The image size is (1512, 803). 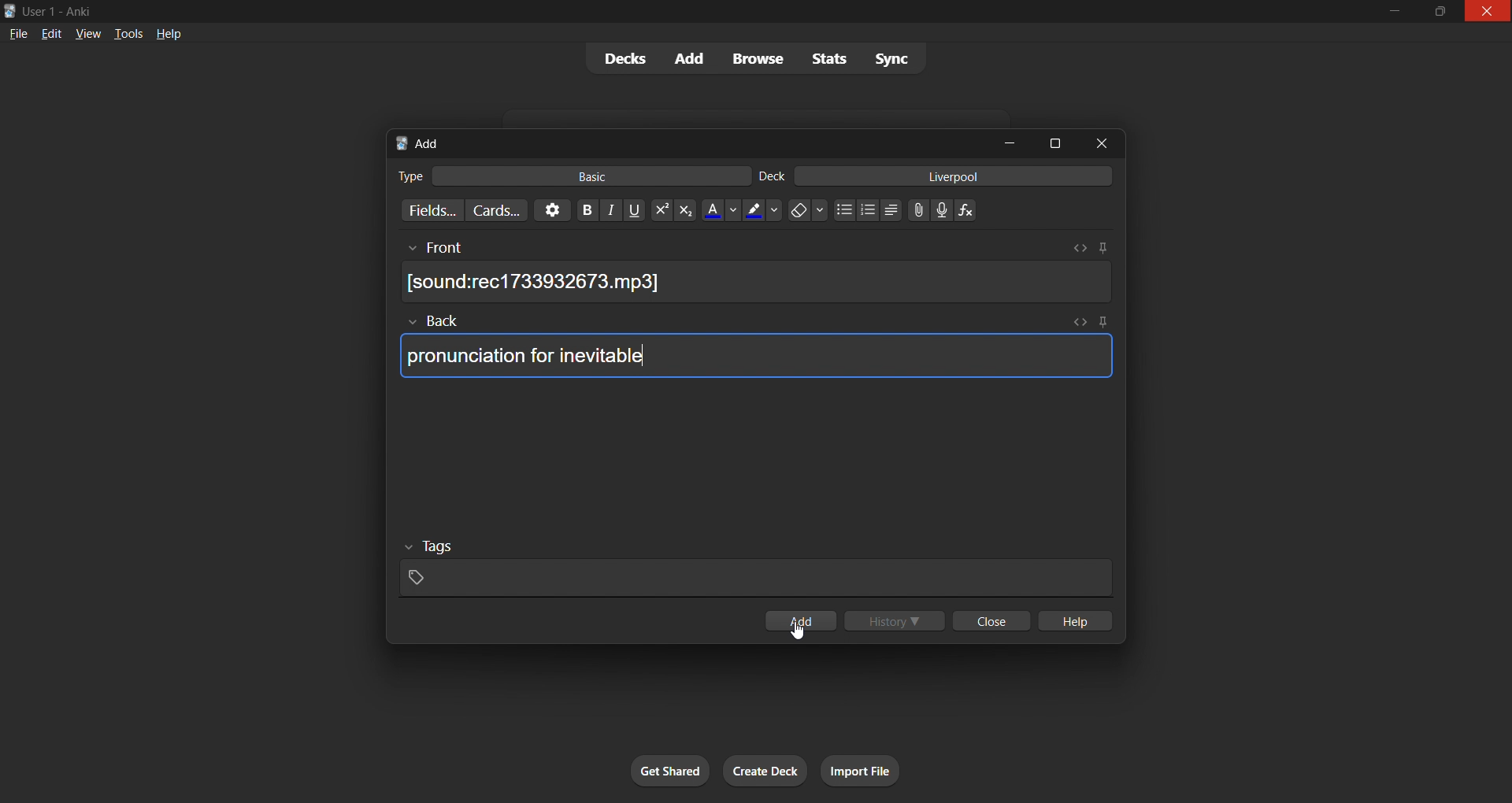 I want to click on card tags input, so click(x=752, y=568).